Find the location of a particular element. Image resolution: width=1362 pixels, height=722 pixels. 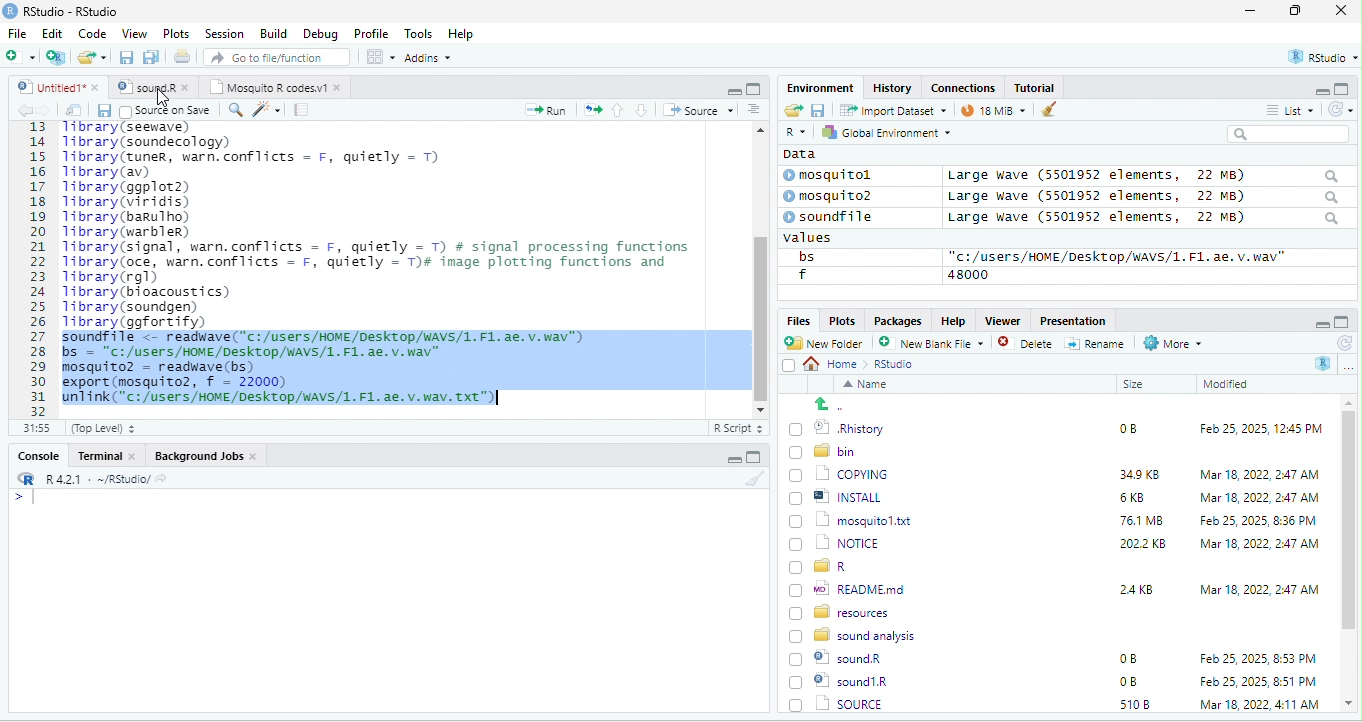

Files is located at coordinates (795, 320).